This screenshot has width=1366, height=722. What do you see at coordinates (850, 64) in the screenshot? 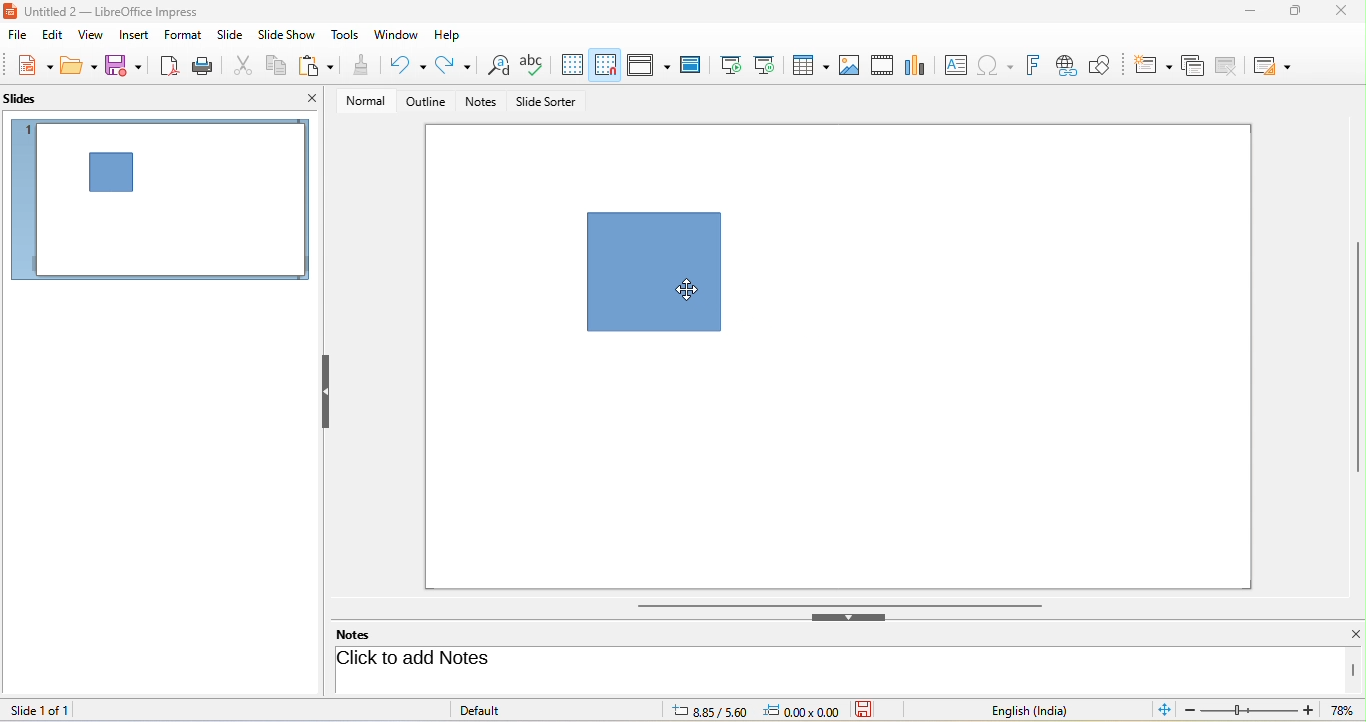
I see `image` at bounding box center [850, 64].